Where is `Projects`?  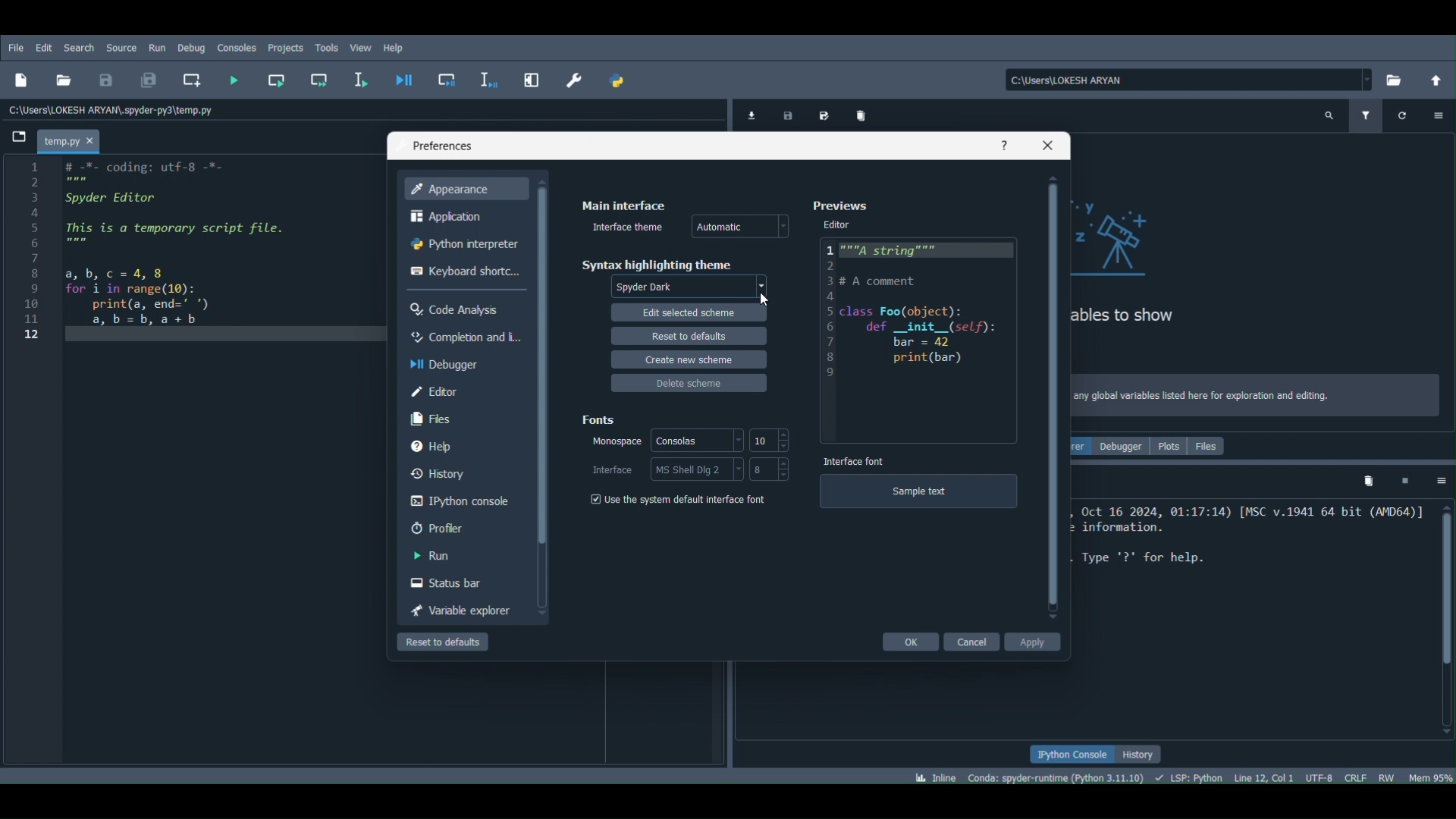 Projects is located at coordinates (285, 46).